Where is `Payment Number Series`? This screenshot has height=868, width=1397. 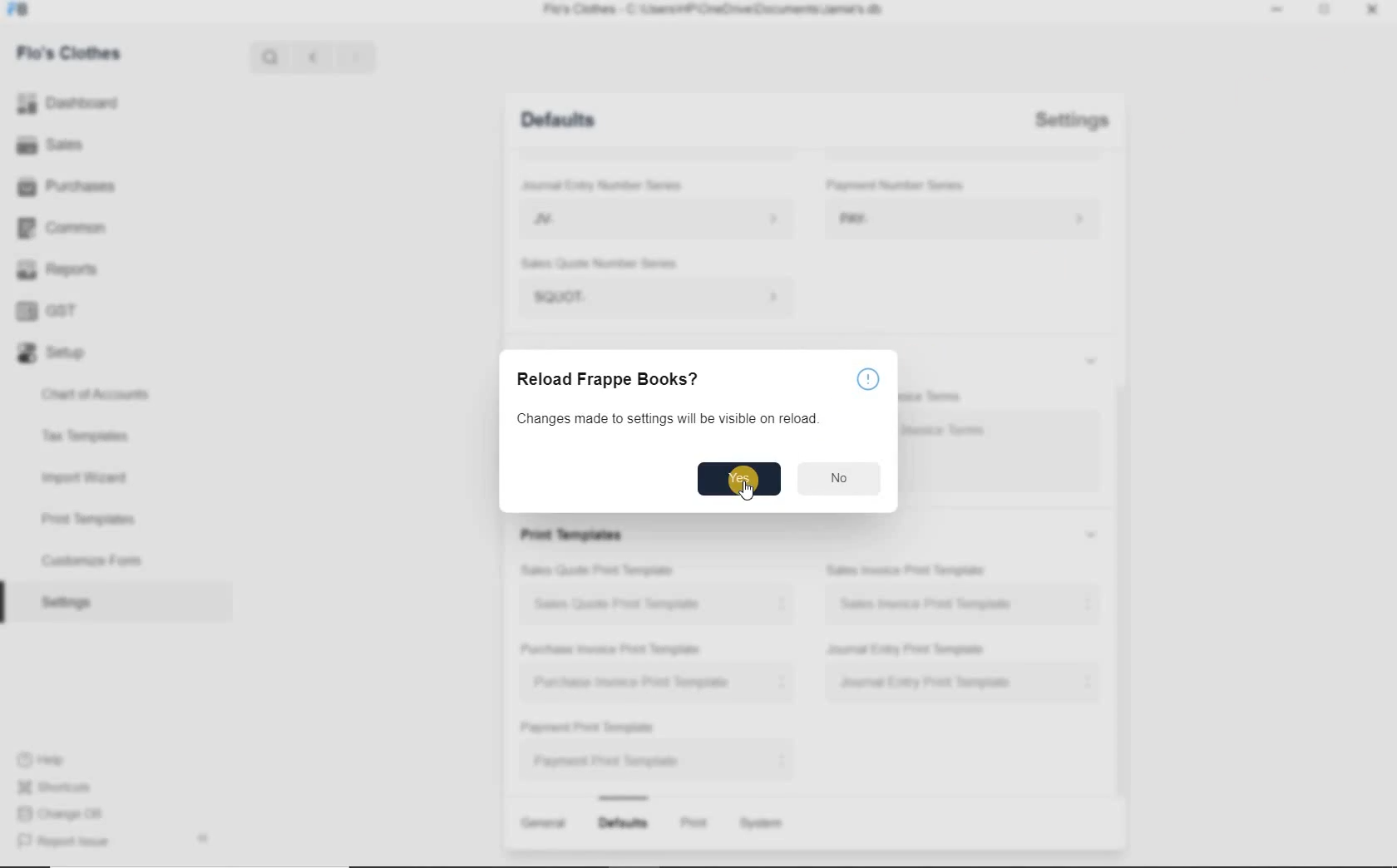 Payment Number Series is located at coordinates (896, 185).